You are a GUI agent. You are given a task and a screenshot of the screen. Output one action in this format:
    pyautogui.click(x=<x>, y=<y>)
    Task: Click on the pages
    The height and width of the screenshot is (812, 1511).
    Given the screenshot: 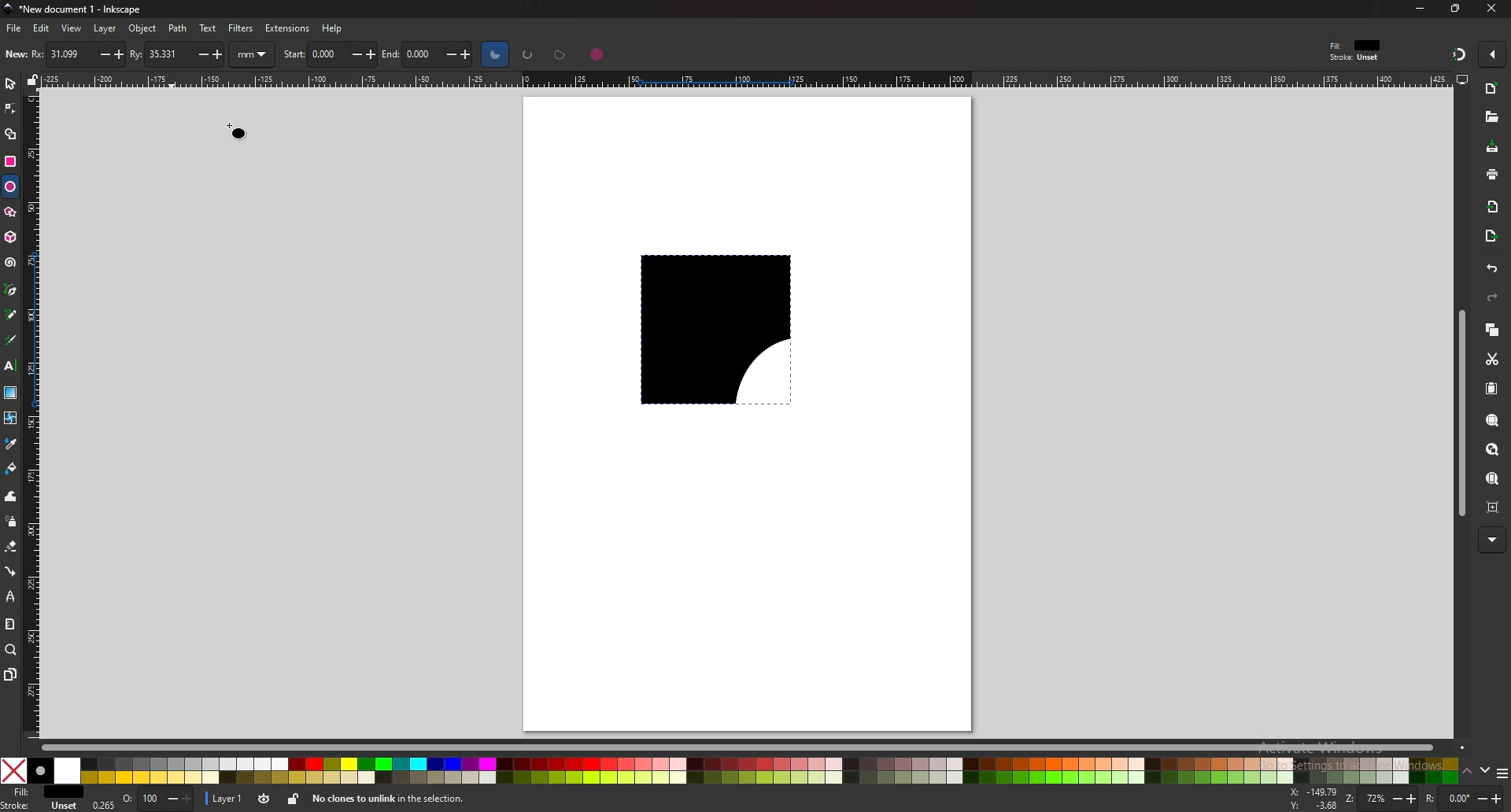 What is the action you would take?
    pyautogui.click(x=9, y=674)
    